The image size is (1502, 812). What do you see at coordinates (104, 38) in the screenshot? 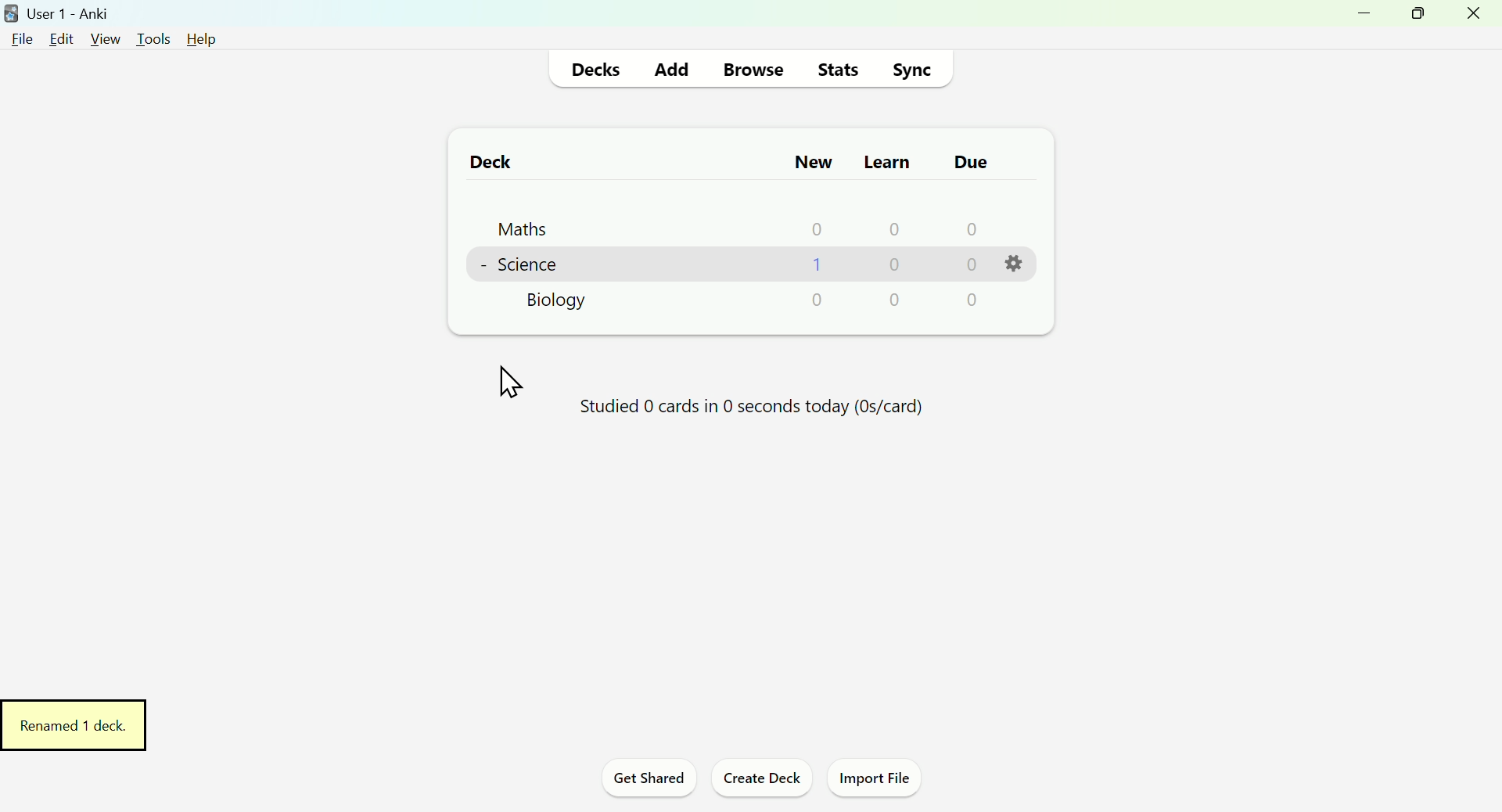
I see `View` at bounding box center [104, 38].